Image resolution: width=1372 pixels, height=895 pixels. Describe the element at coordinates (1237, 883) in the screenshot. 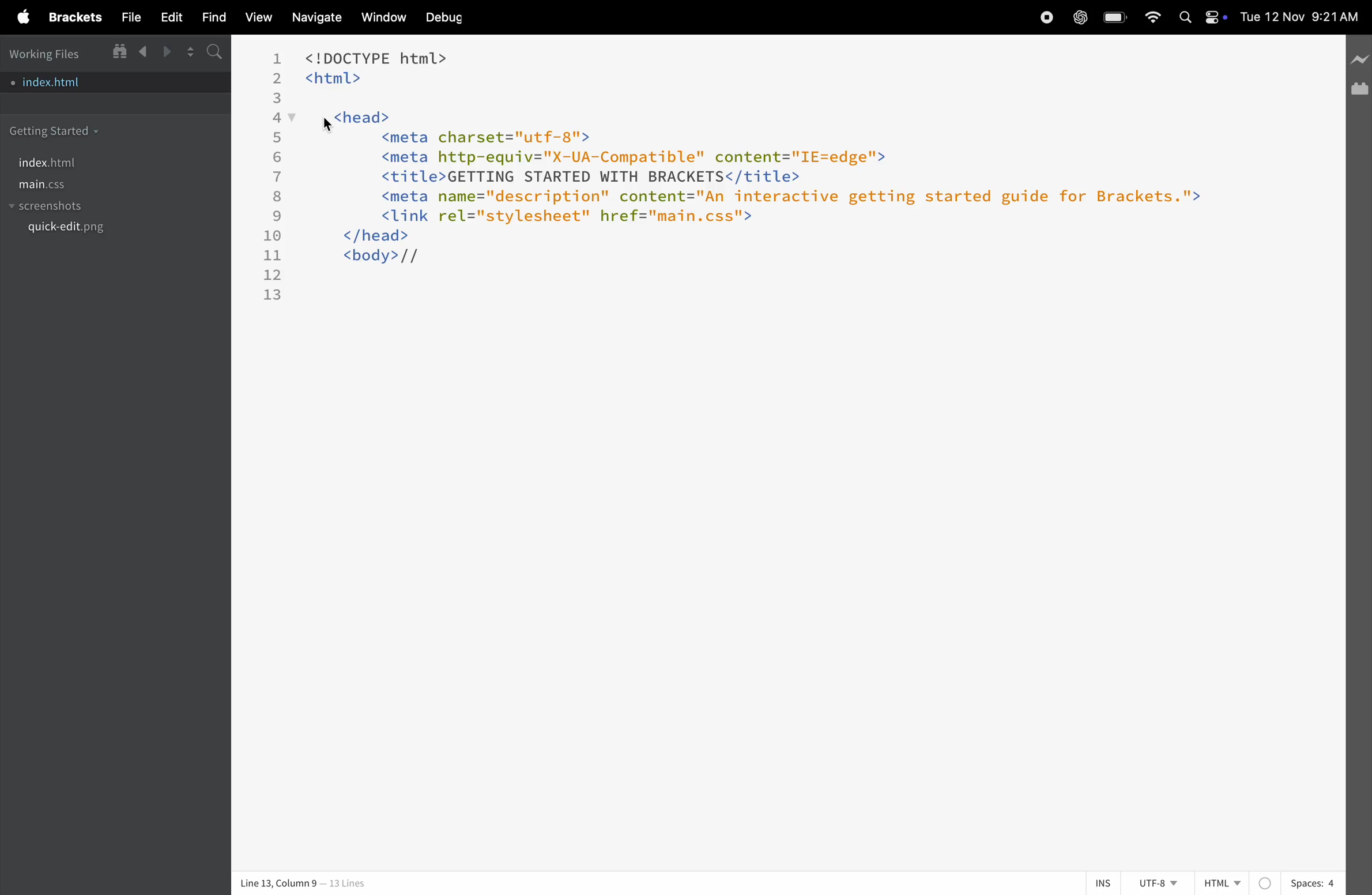

I see `Html ` at that location.